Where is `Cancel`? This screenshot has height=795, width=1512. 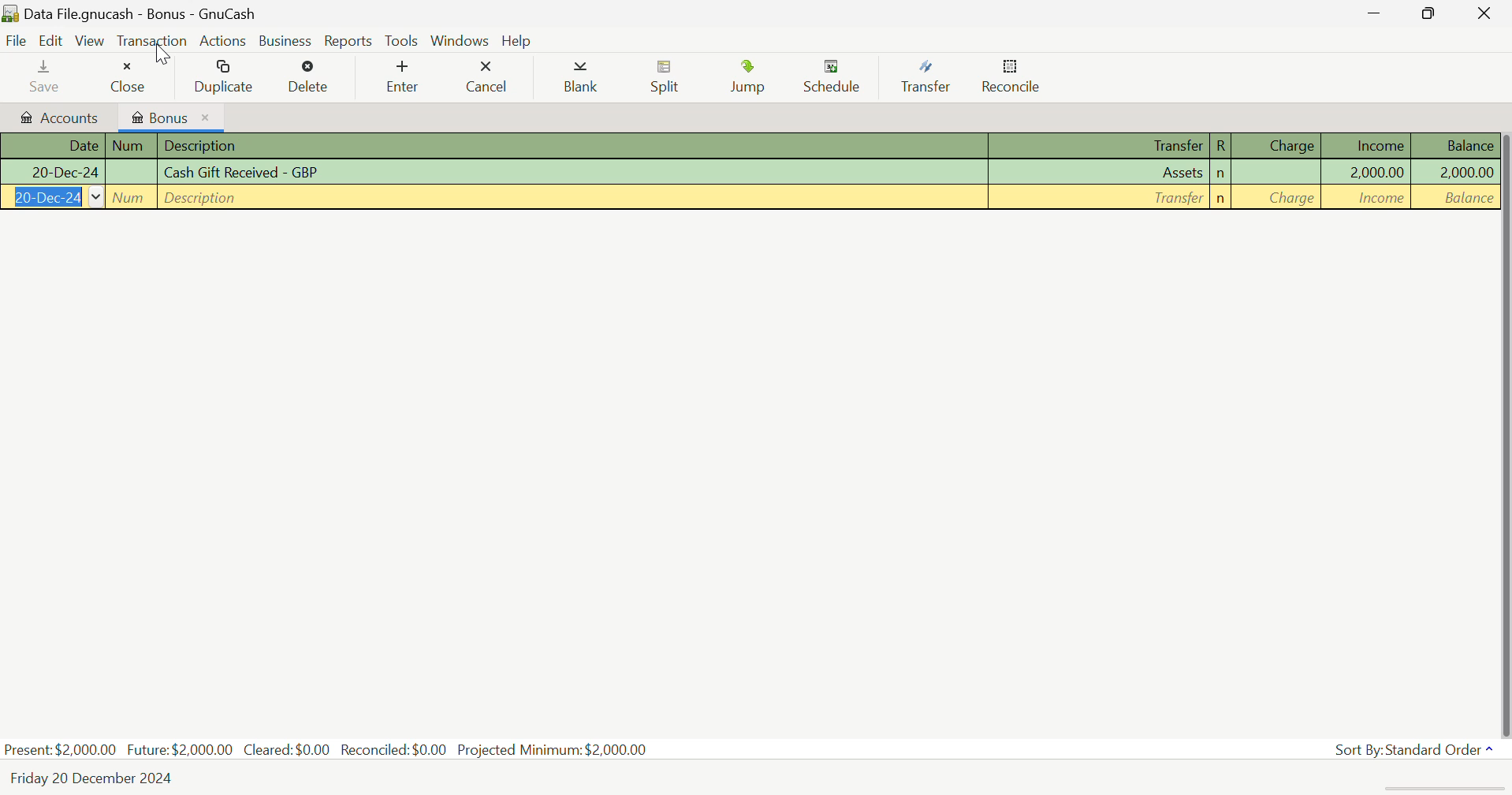
Cancel is located at coordinates (486, 74).